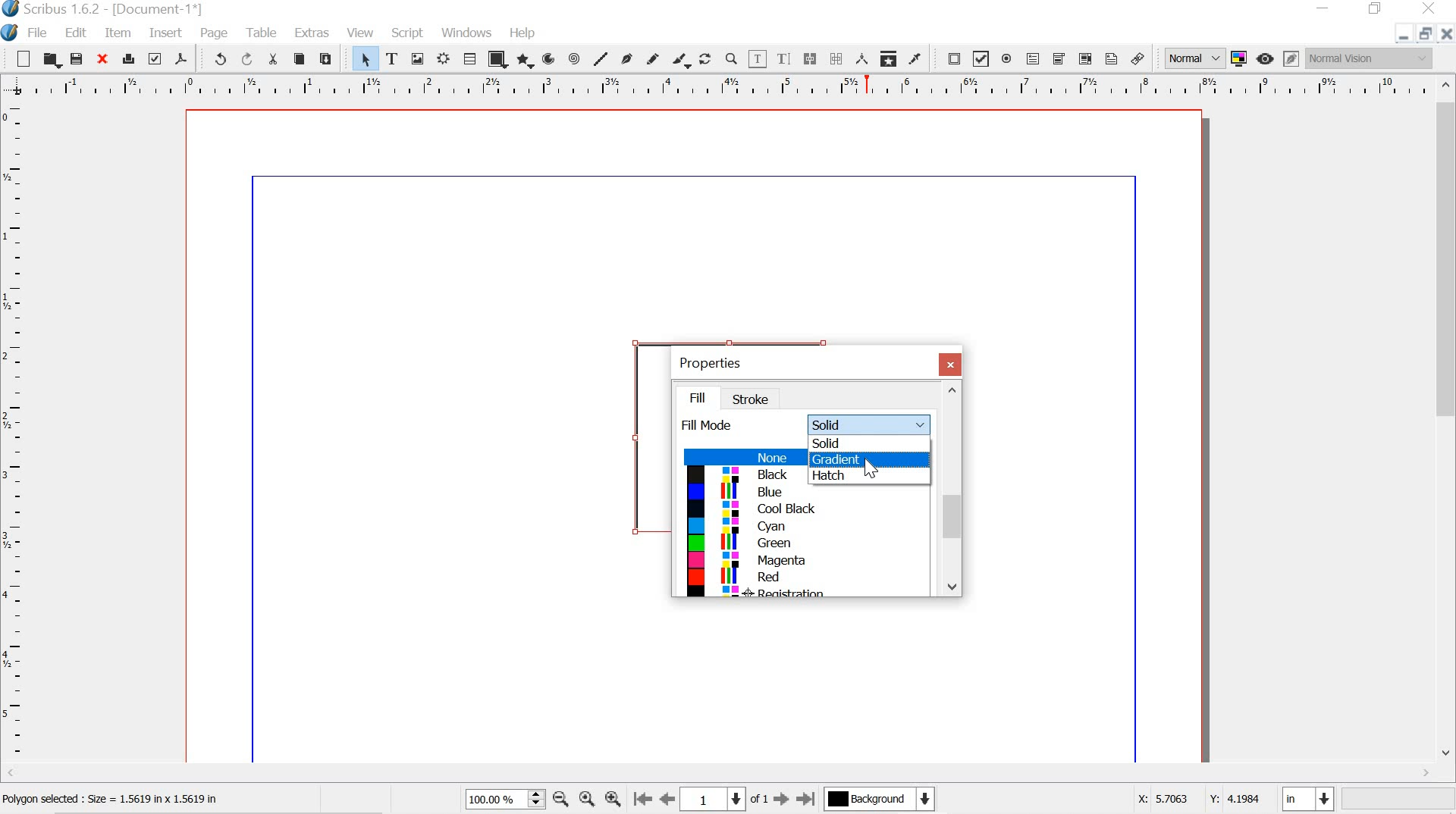 The width and height of the screenshot is (1456, 814). I want to click on scrollbar, so click(1445, 422).